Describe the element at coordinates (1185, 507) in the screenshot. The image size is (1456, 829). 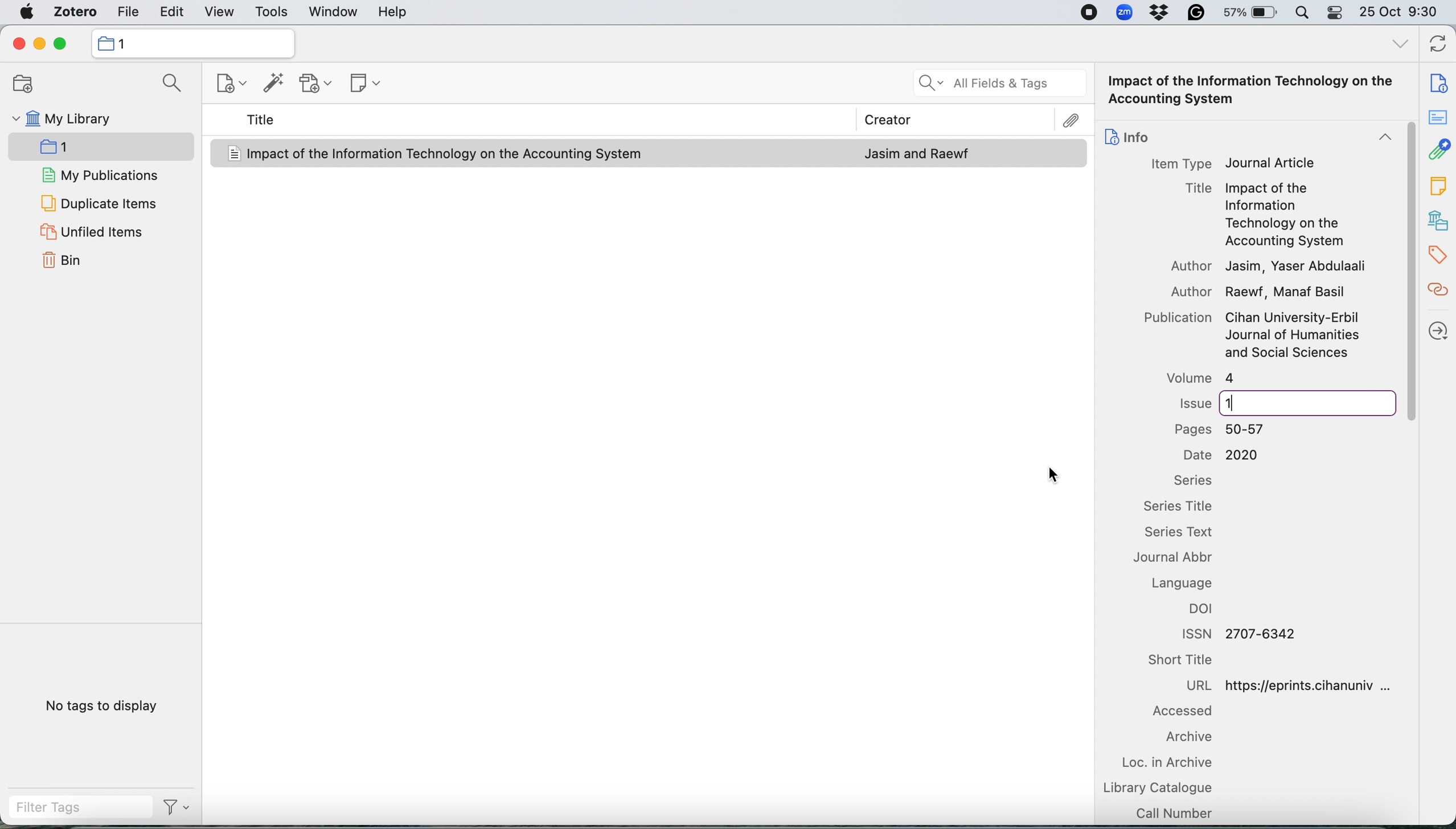
I see `series title` at that location.